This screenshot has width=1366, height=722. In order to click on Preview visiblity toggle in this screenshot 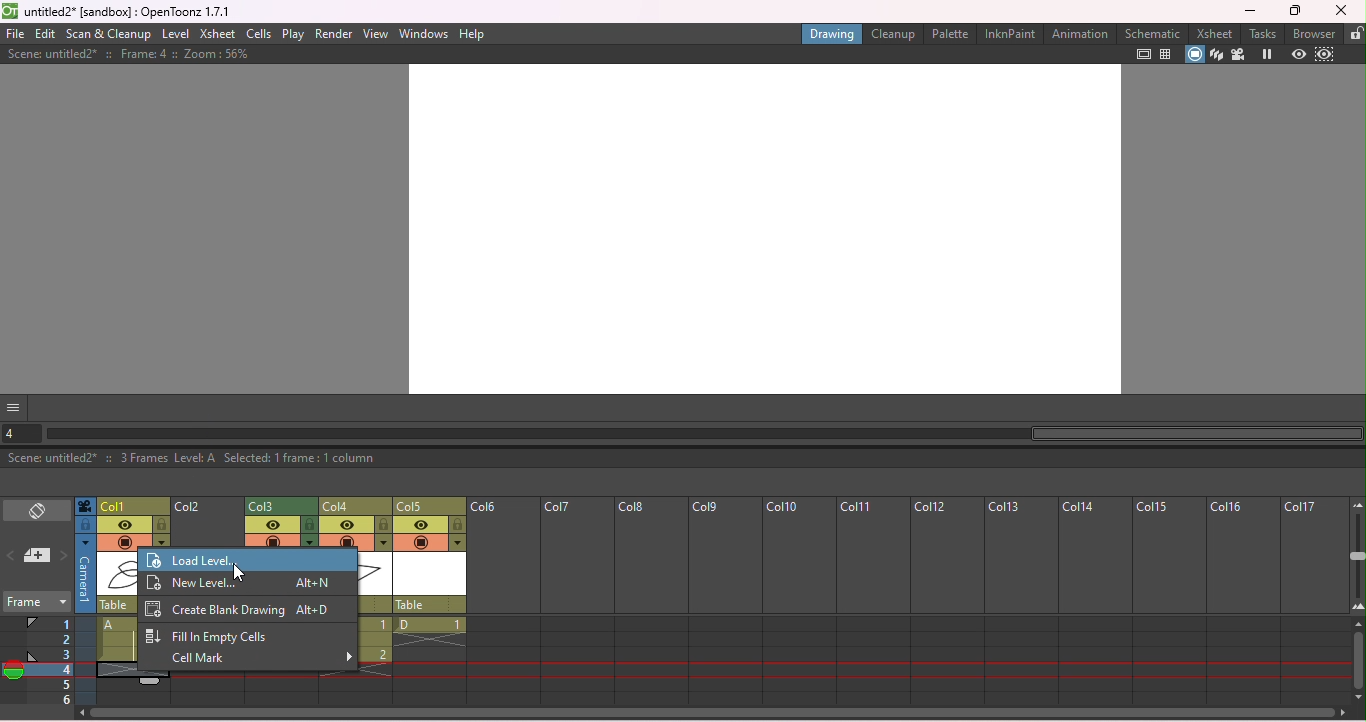, I will do `click(347, 525)`.